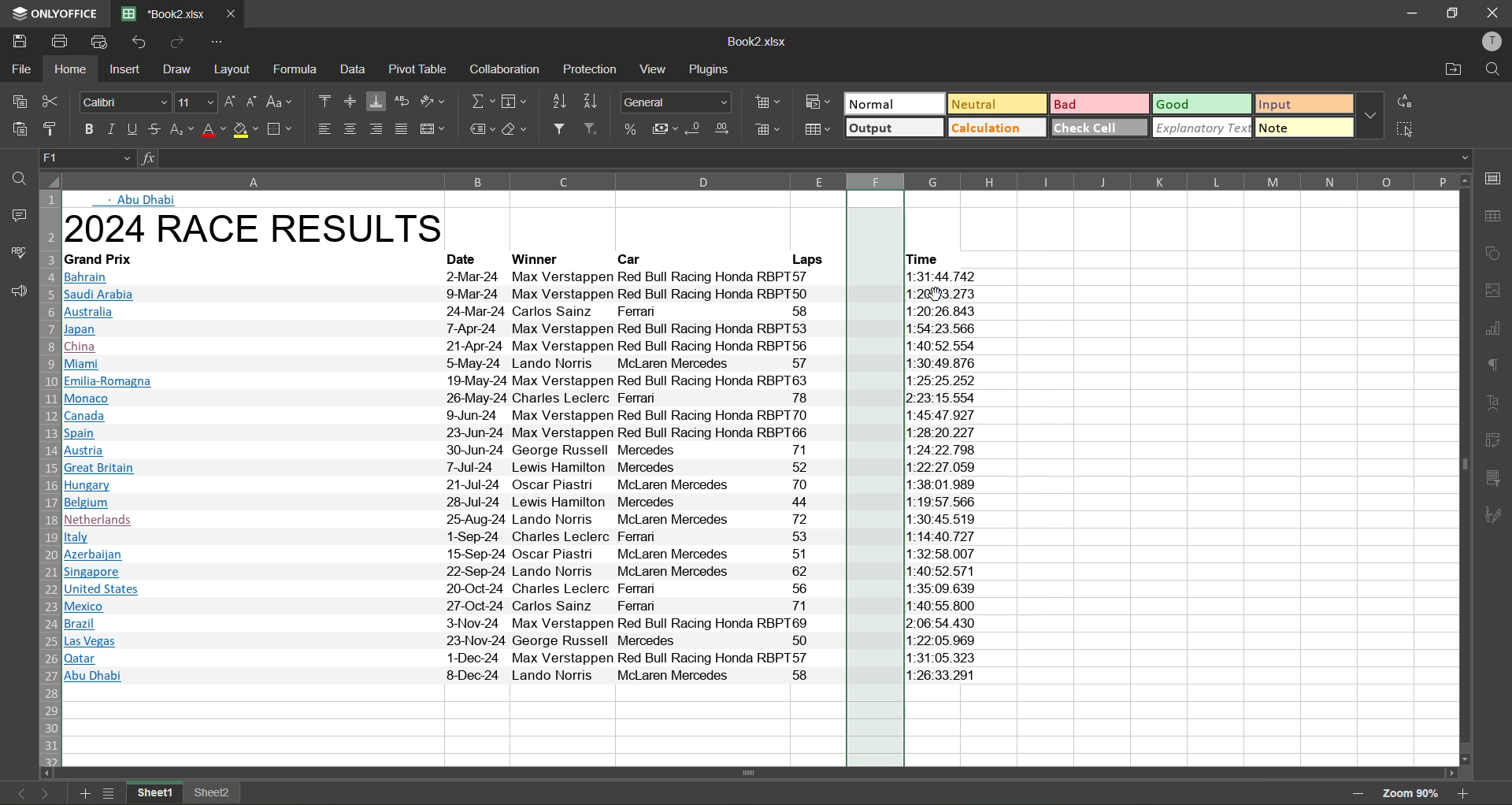 This screenshot has height=805, width=1512. Describe the element at coordinates (939, 295) in the screenshot. I see `11:26IM3.27-` at that location.